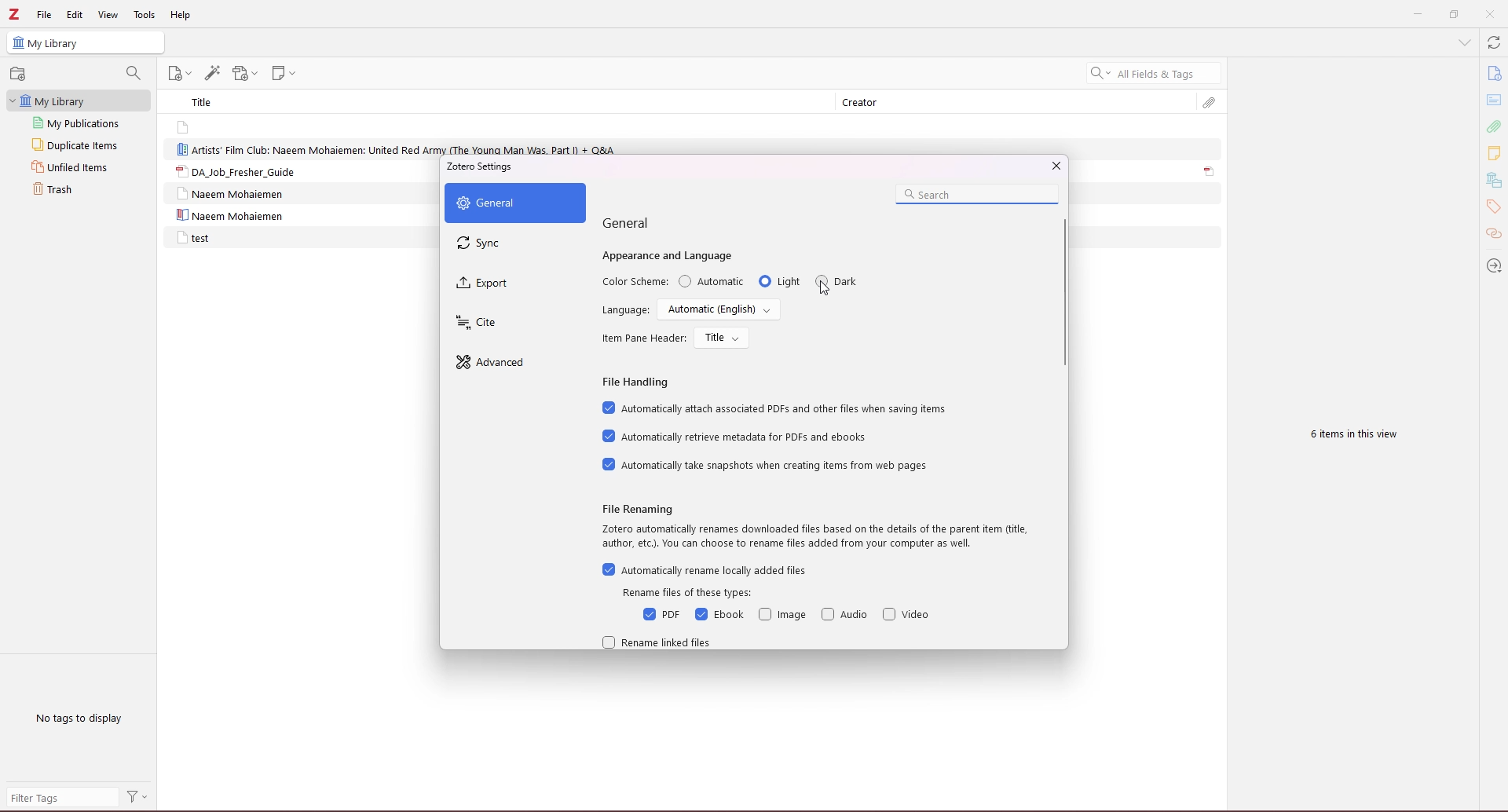 This screenshot has height=812, width=1508. Describe the element at coordinates (45, 14) in the screenshot. I see `file` at that location.